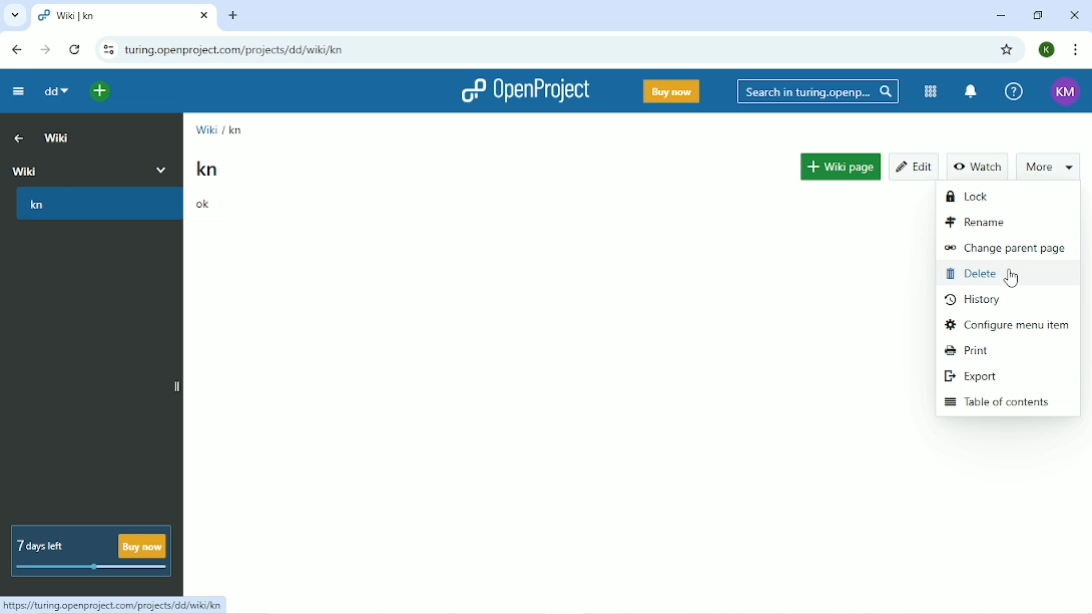 The height and width of the screenshot is (614, 1092). I want to click on Search tabs, so click(16, 16).